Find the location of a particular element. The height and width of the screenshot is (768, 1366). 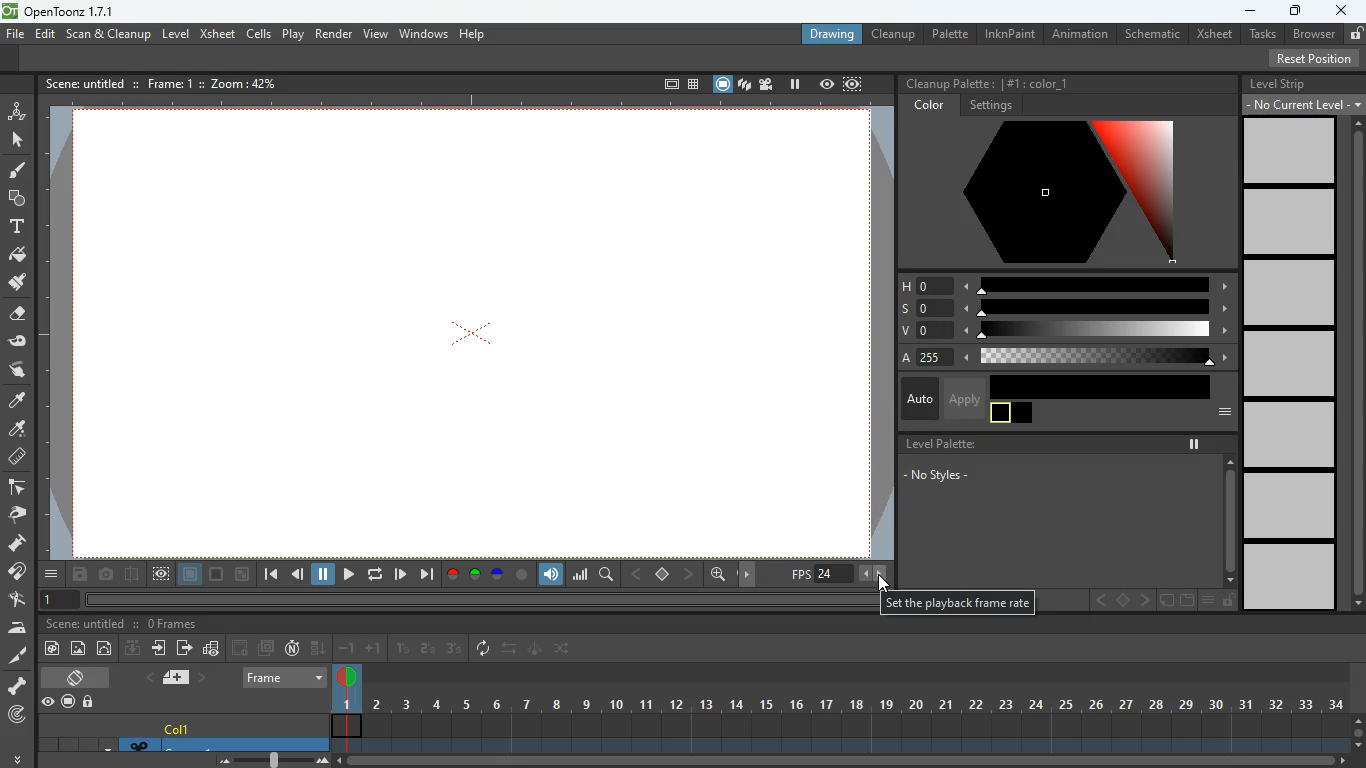

play is located at coordinates (348, 574).